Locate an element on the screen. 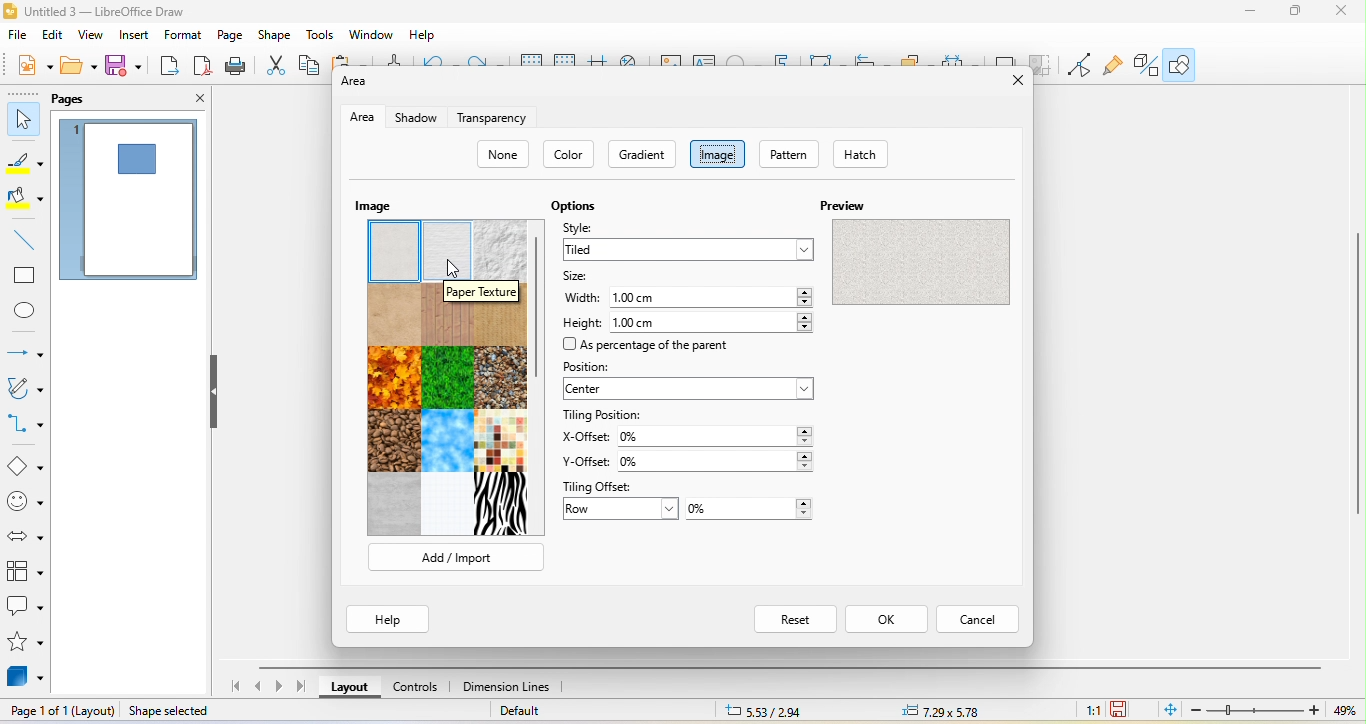  previous page is located at coordinates (258, 686).